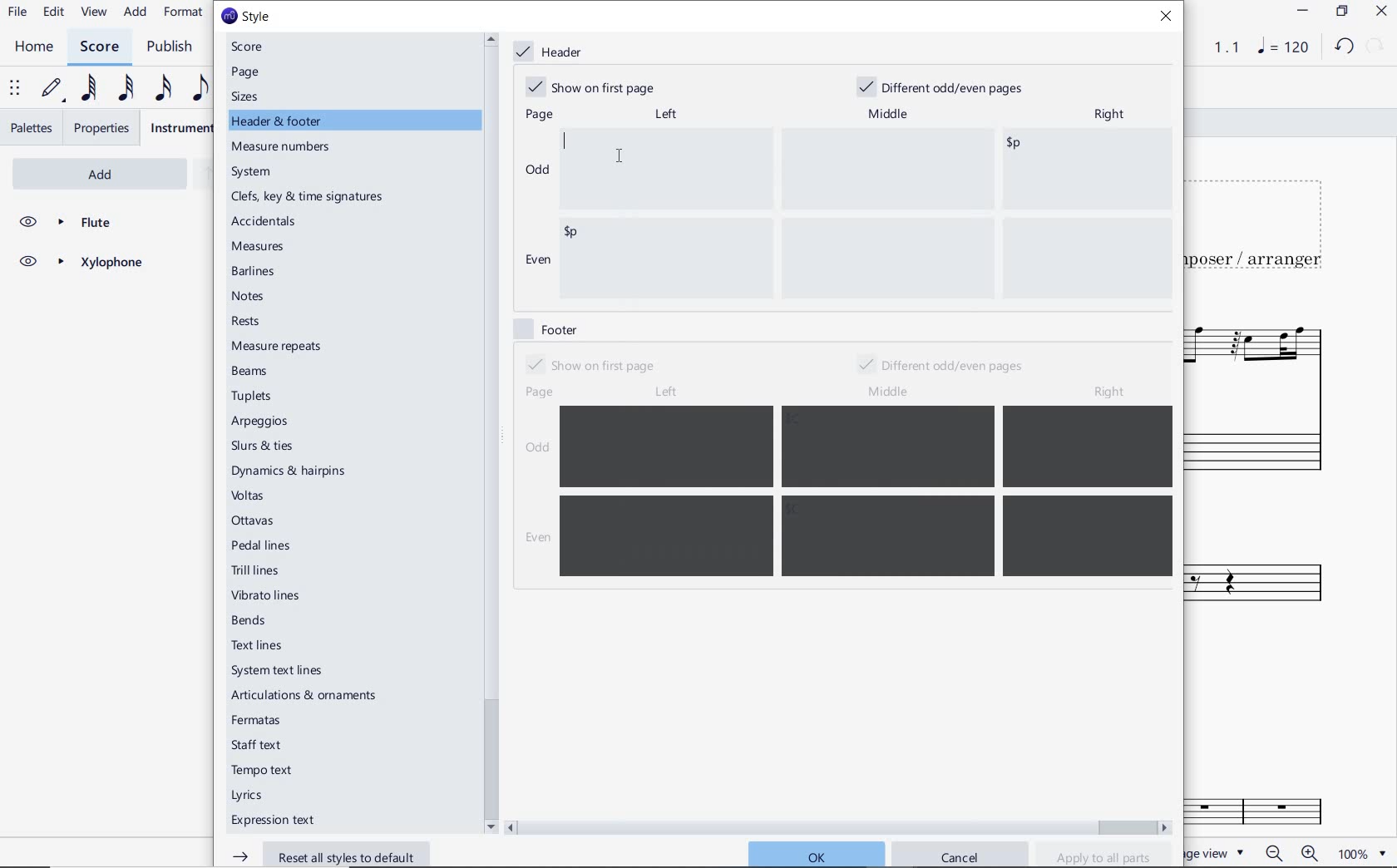  Describe the element at coordinates (258, 645) in the screenshot. I see `text lines` at that location.